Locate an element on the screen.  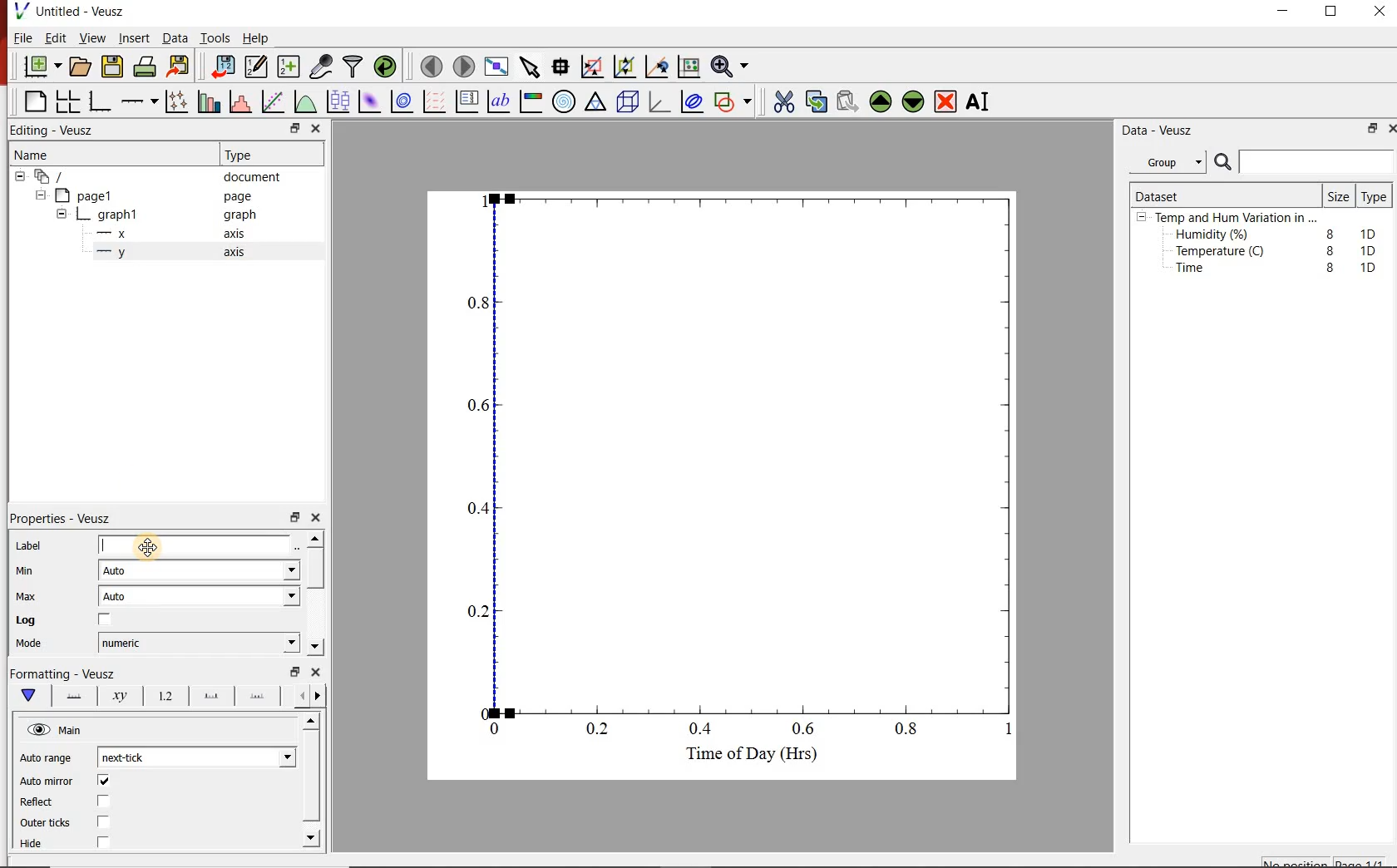
axis line is located at coordinates (75, 697).